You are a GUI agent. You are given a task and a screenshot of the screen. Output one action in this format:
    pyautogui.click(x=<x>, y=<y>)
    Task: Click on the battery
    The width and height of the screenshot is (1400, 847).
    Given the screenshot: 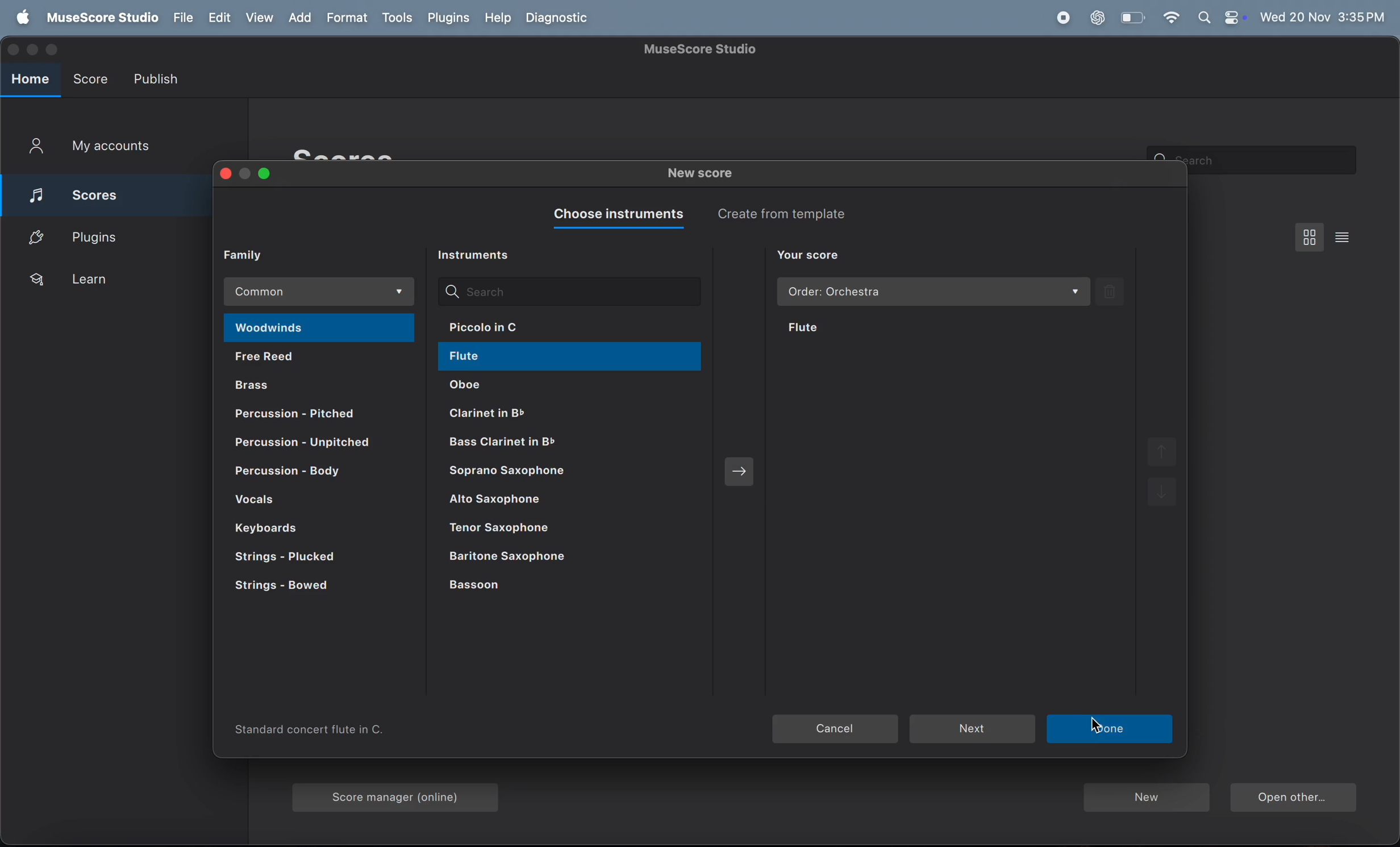 What is the action you would take?
    pyautogui.click(x=1131, y=18)
    